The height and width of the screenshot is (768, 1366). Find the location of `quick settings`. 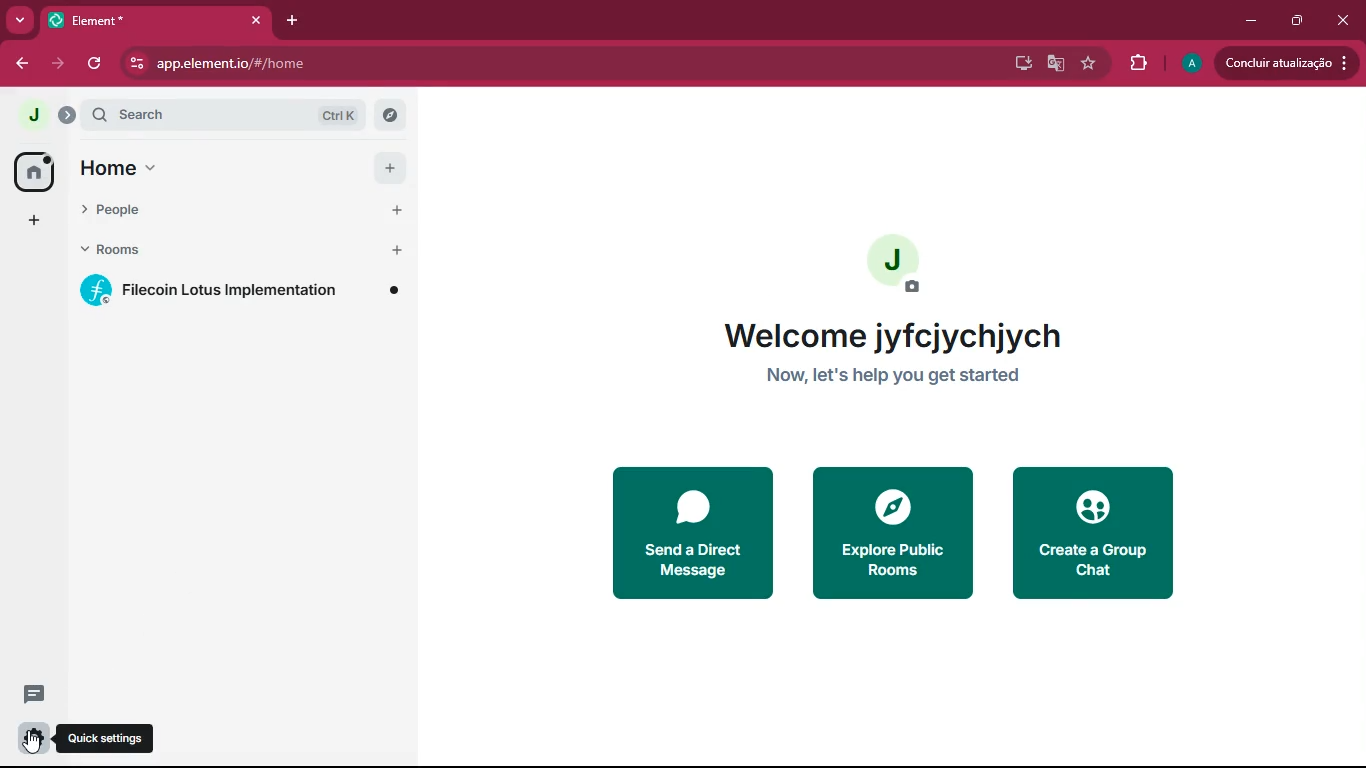

quick settings is located at coordinates (106, 738).